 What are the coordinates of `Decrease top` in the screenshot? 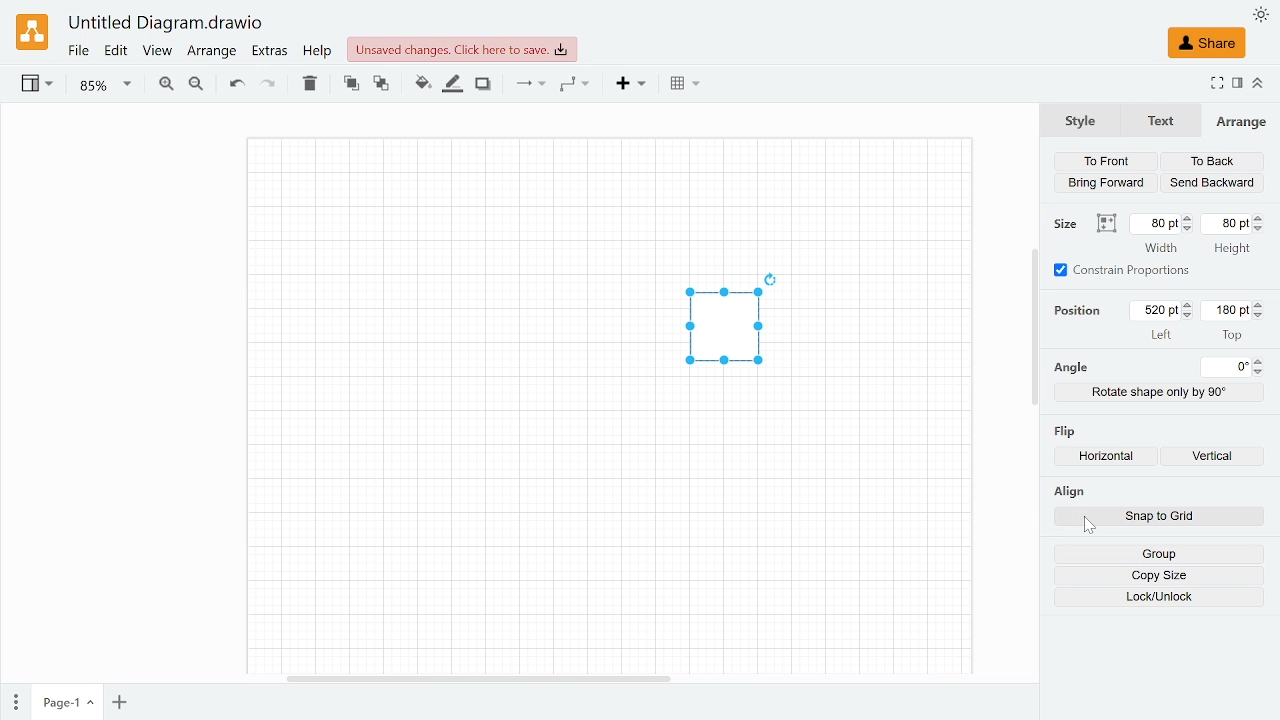 It's located at (1261, 316).